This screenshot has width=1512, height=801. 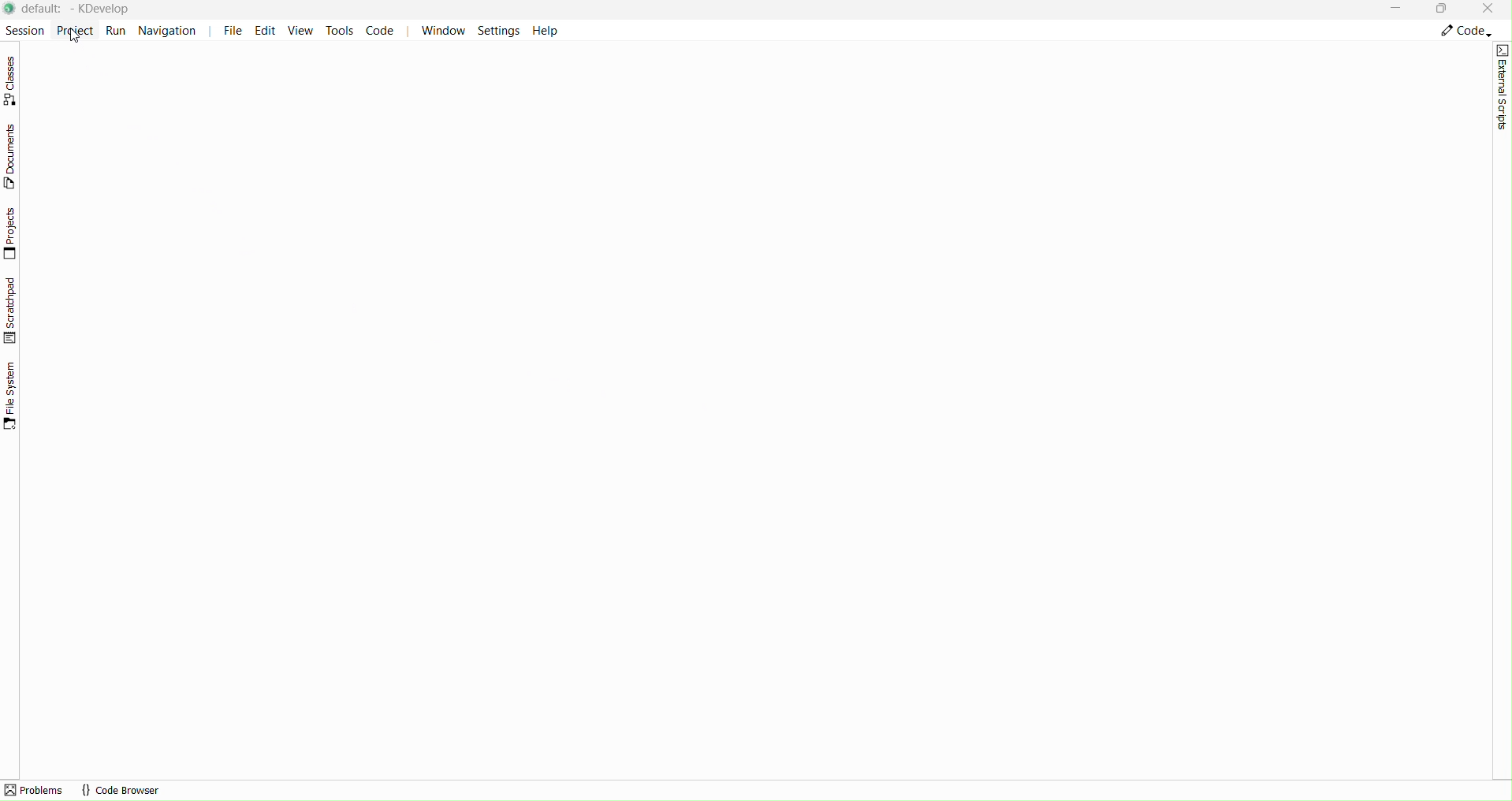 I want to click on Help, so click(x=545, y=30).